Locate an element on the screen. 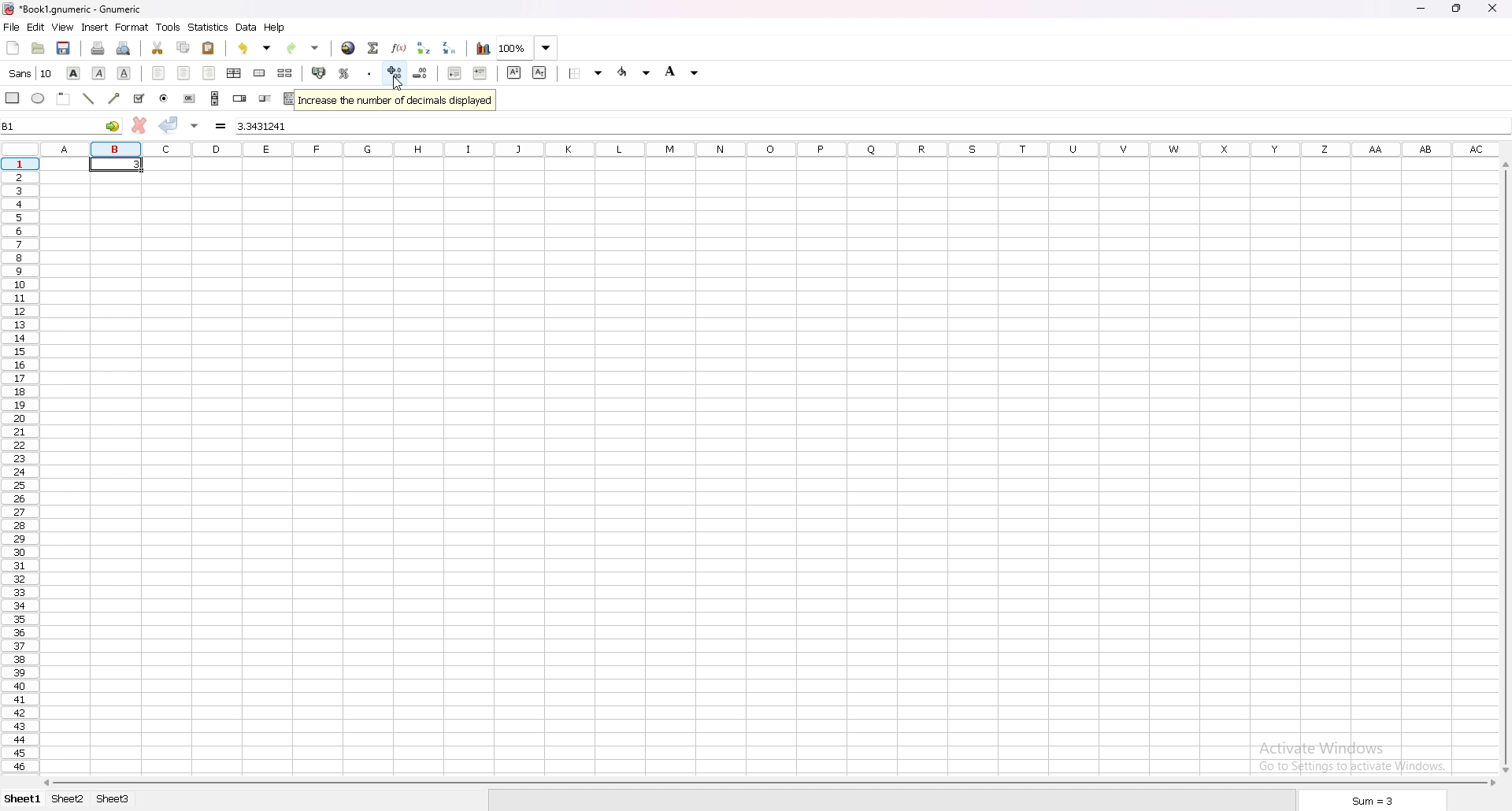  foreground is located at coordinates (636, 72).